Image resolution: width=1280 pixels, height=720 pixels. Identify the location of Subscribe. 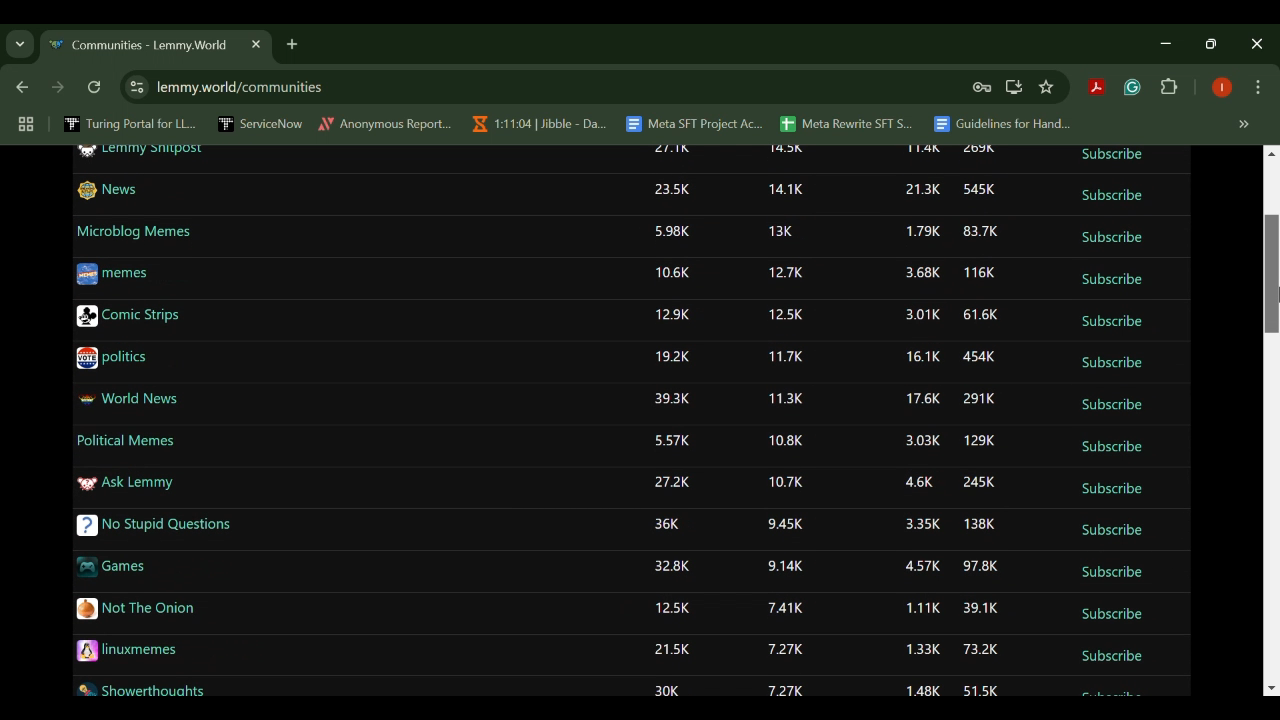
(1112, 694).